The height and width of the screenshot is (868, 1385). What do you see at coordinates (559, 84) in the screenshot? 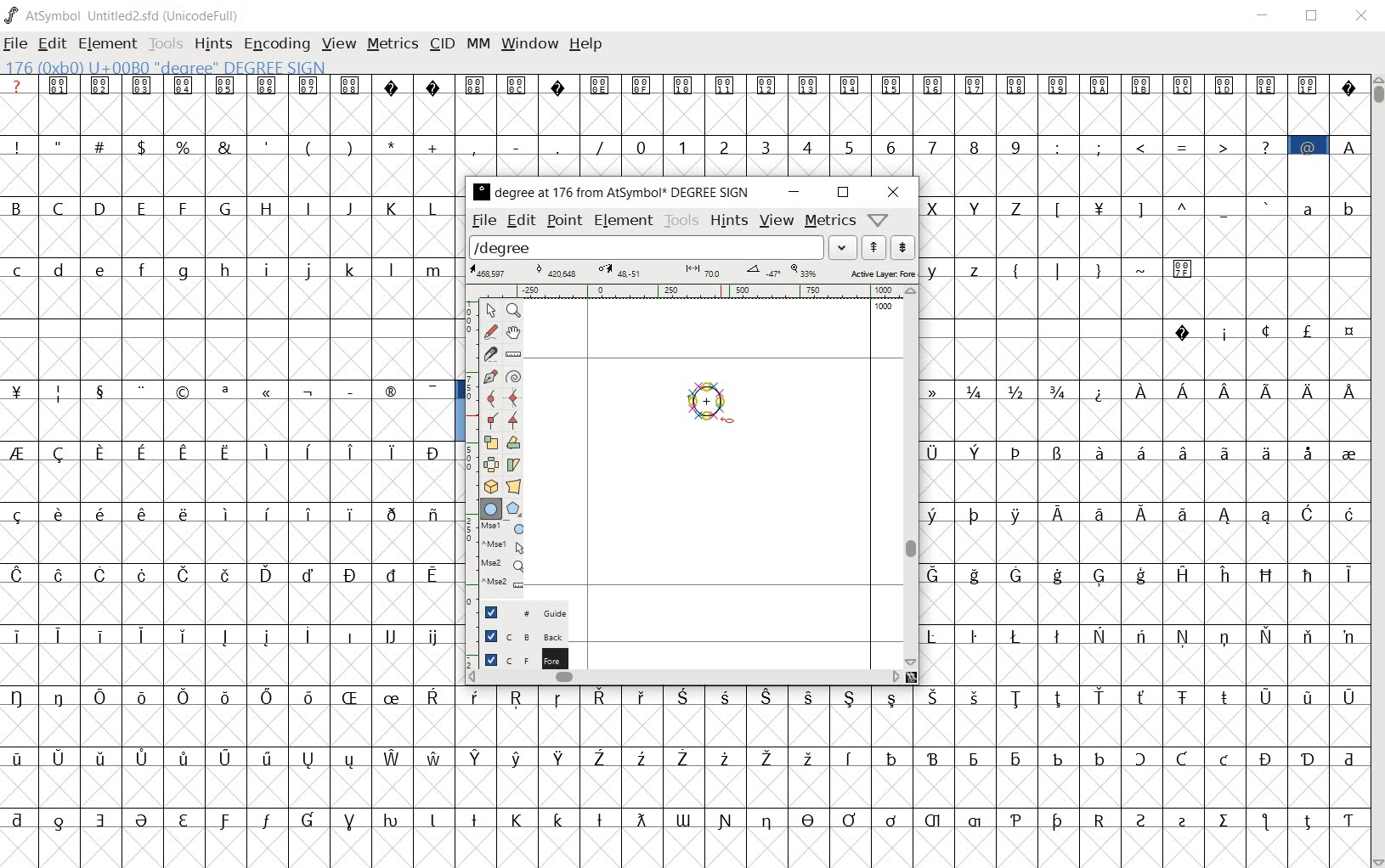
I see `unsupported character` at bounding box center [559, 84].